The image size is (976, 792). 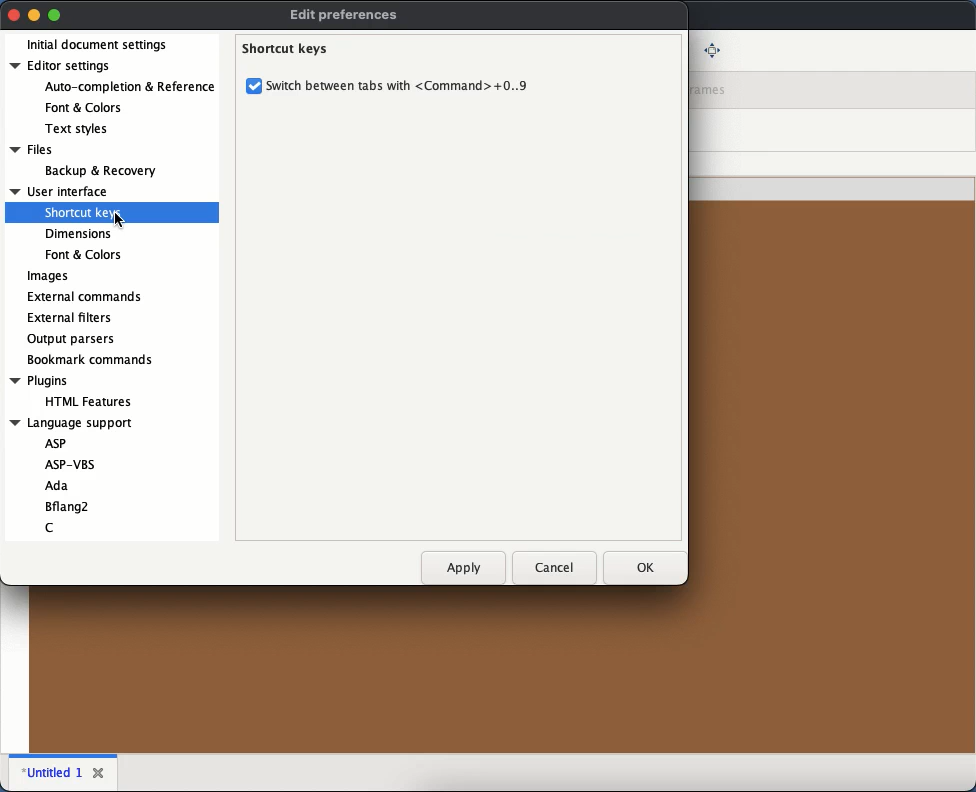 I want to click on C, so click(x=54, y=525).